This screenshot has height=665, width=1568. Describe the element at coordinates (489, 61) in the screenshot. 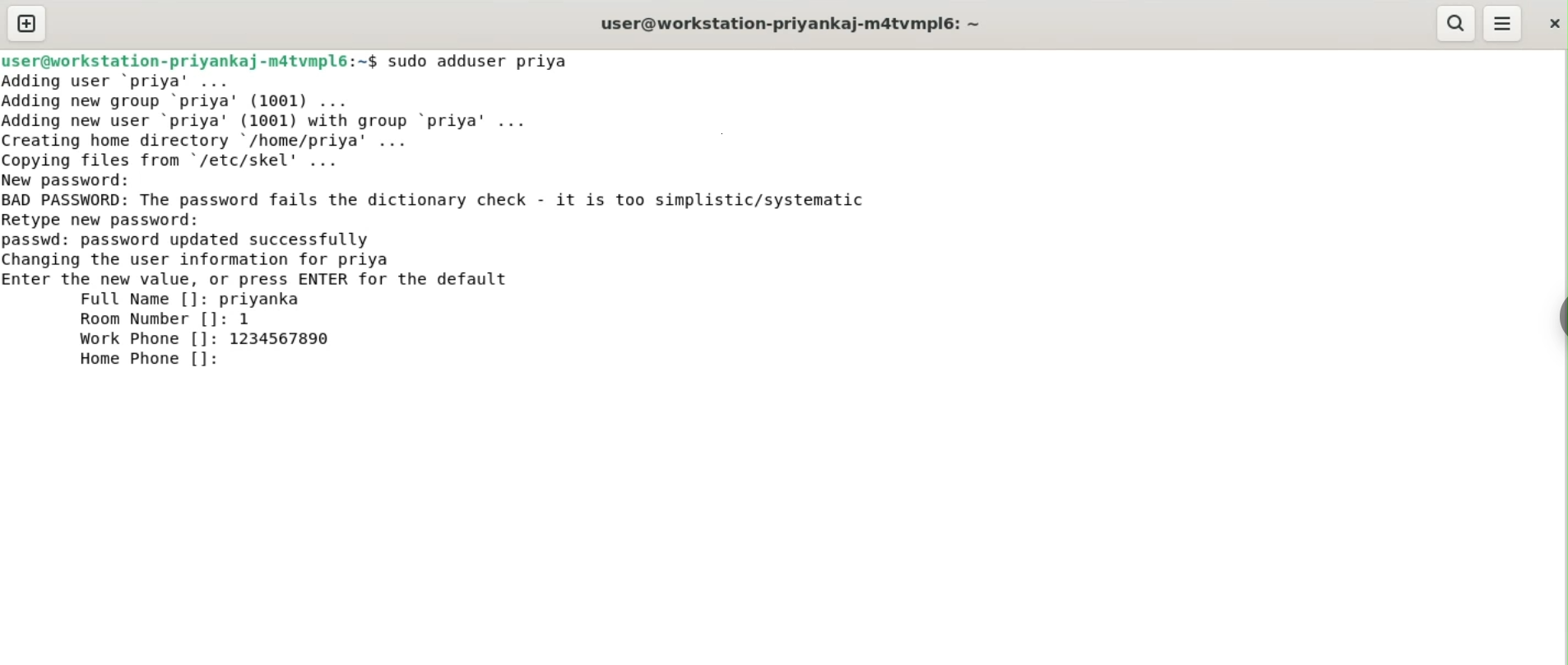

I see `sudo adduser priya` at that location.